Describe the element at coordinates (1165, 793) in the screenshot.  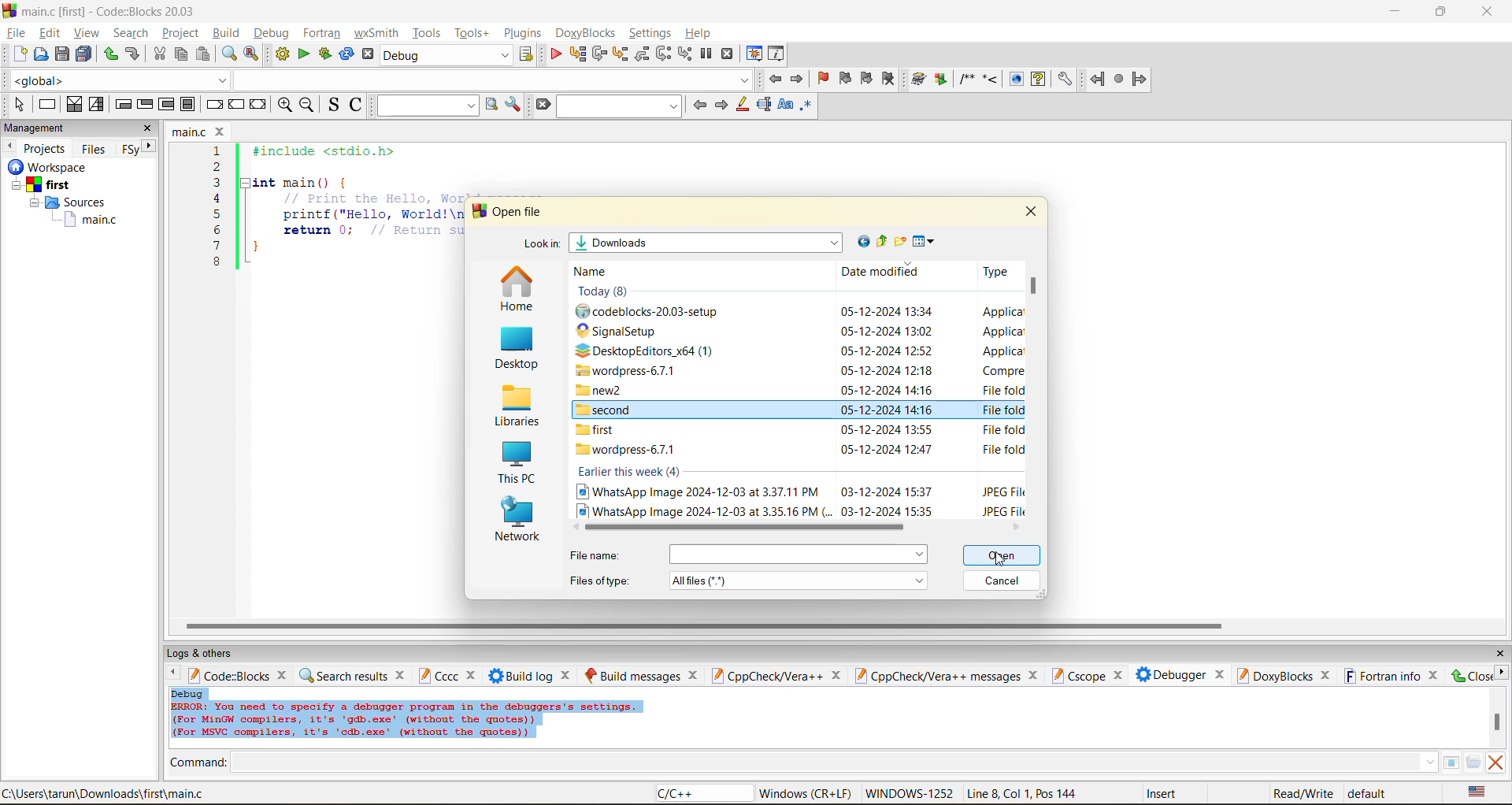
I see `insert` at that location.